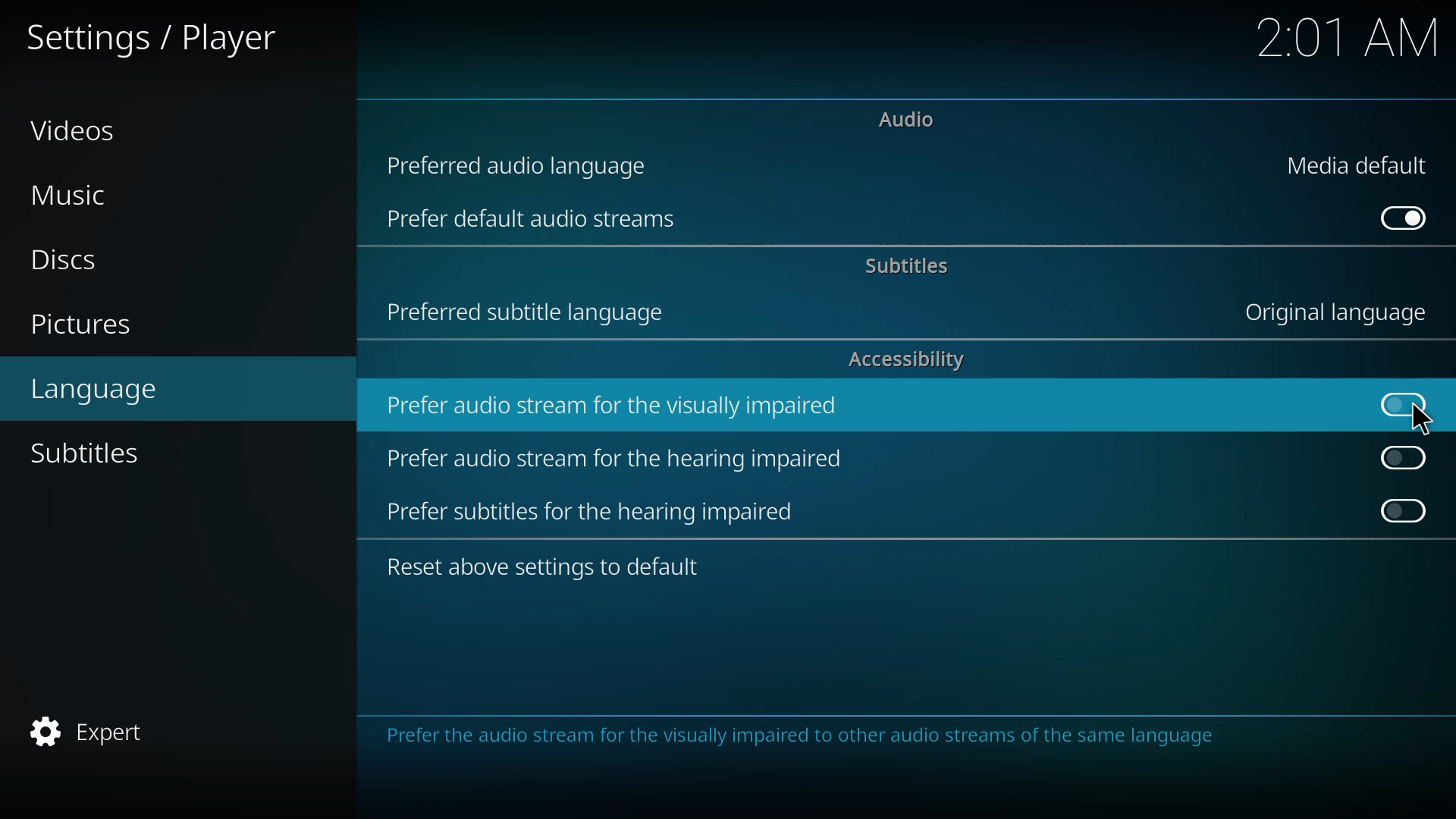 This screenshot has height=819, width=1456. What do you see at coordinates (613, 406) in the screenshot?
I see `prefer audio stream for visually impaired` at bounding box center [613, 406].